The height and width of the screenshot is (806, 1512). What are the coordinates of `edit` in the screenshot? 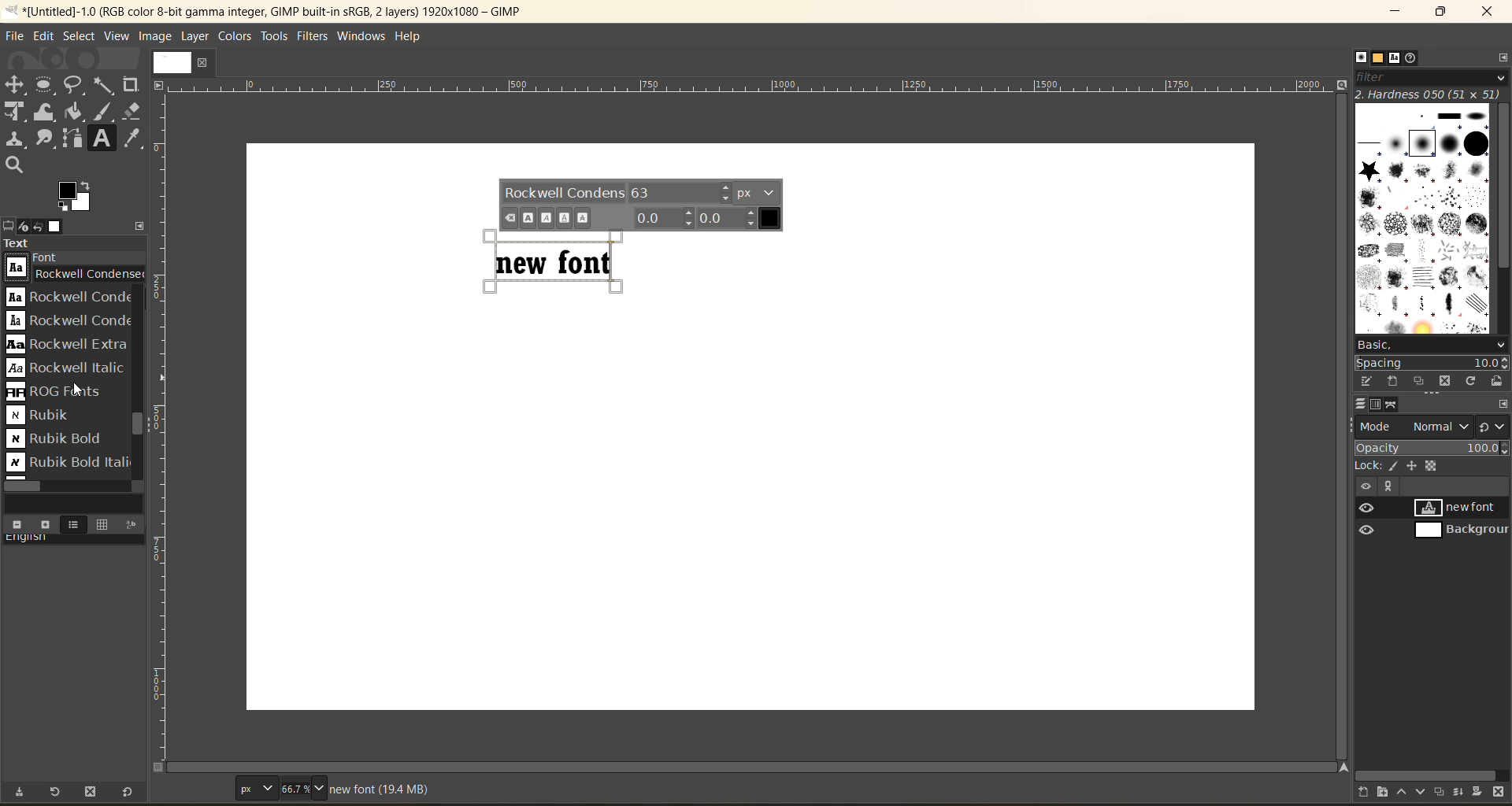 It's located at (45, 38).